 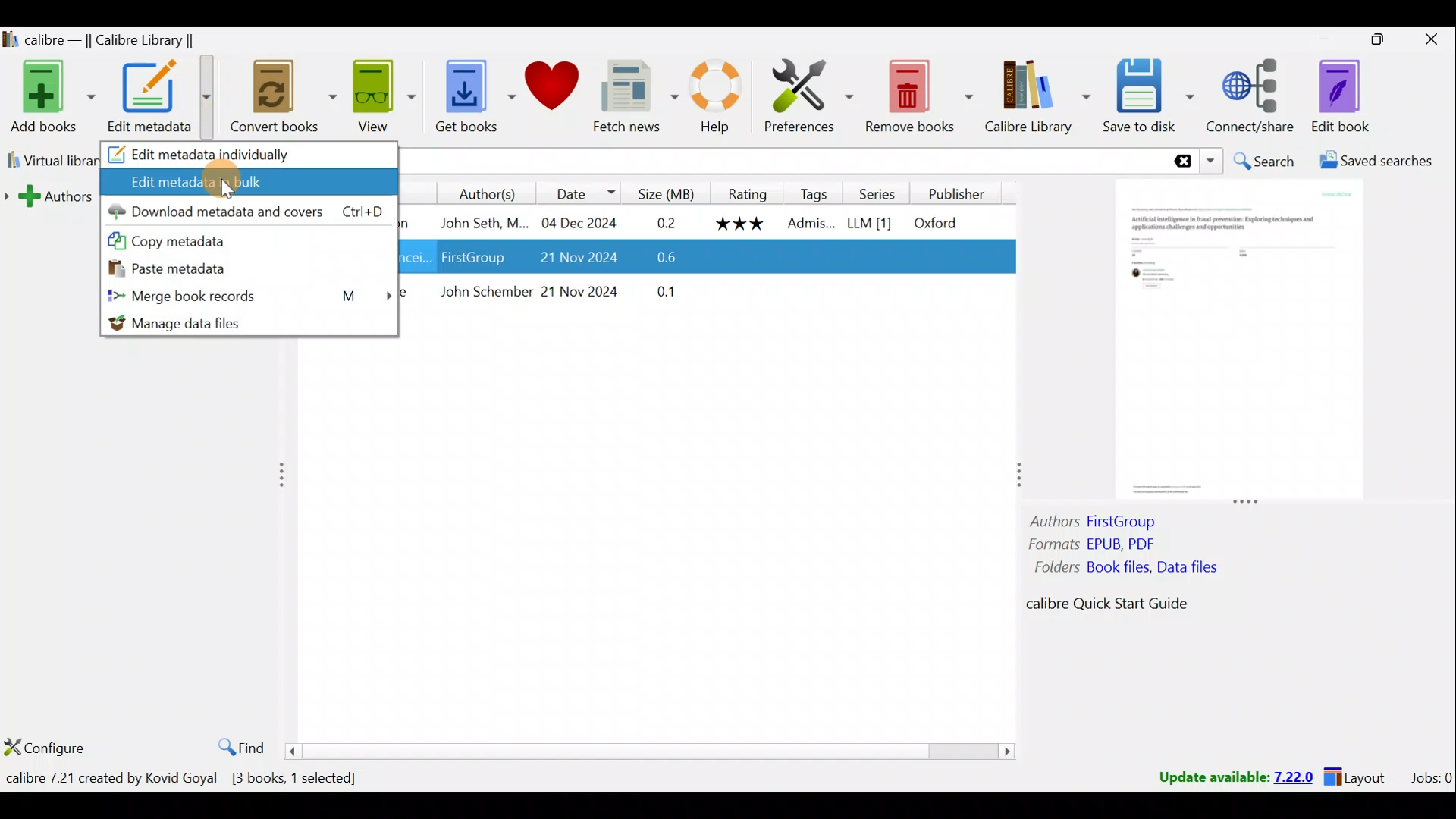 What do you see at coordinates (122, 39) in the screenshot?
I see `Calibre library` at bounding box center [122, 39].